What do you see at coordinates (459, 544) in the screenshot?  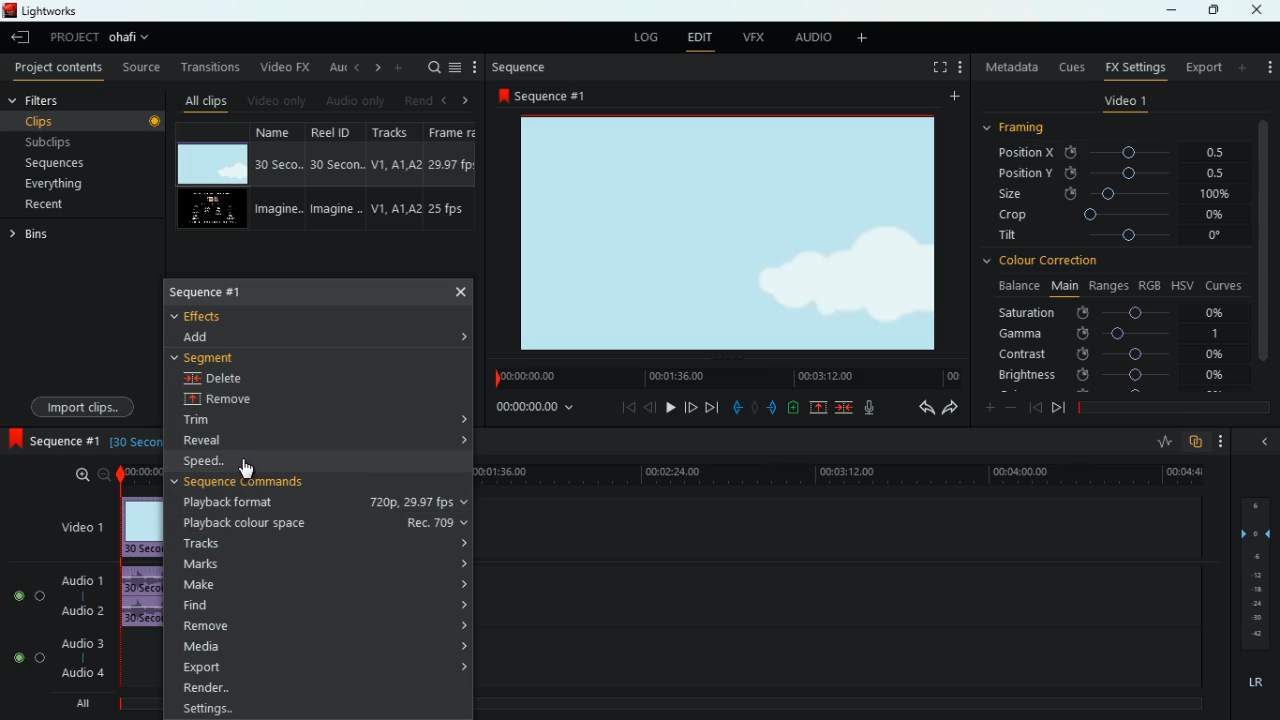 I see `expand` at bounding box center [459, 544].